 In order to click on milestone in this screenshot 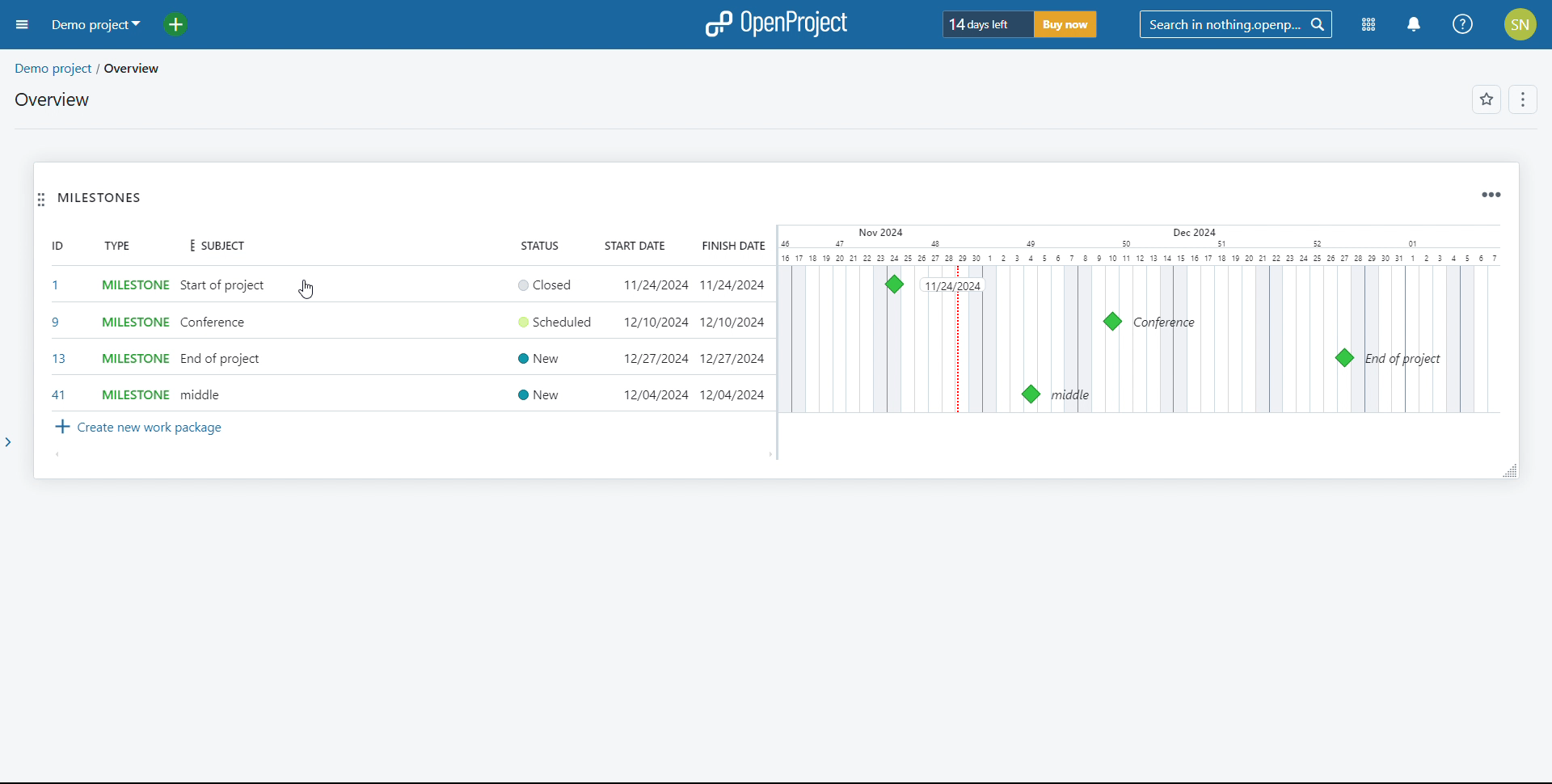, I will do `click(1345, 358)`.